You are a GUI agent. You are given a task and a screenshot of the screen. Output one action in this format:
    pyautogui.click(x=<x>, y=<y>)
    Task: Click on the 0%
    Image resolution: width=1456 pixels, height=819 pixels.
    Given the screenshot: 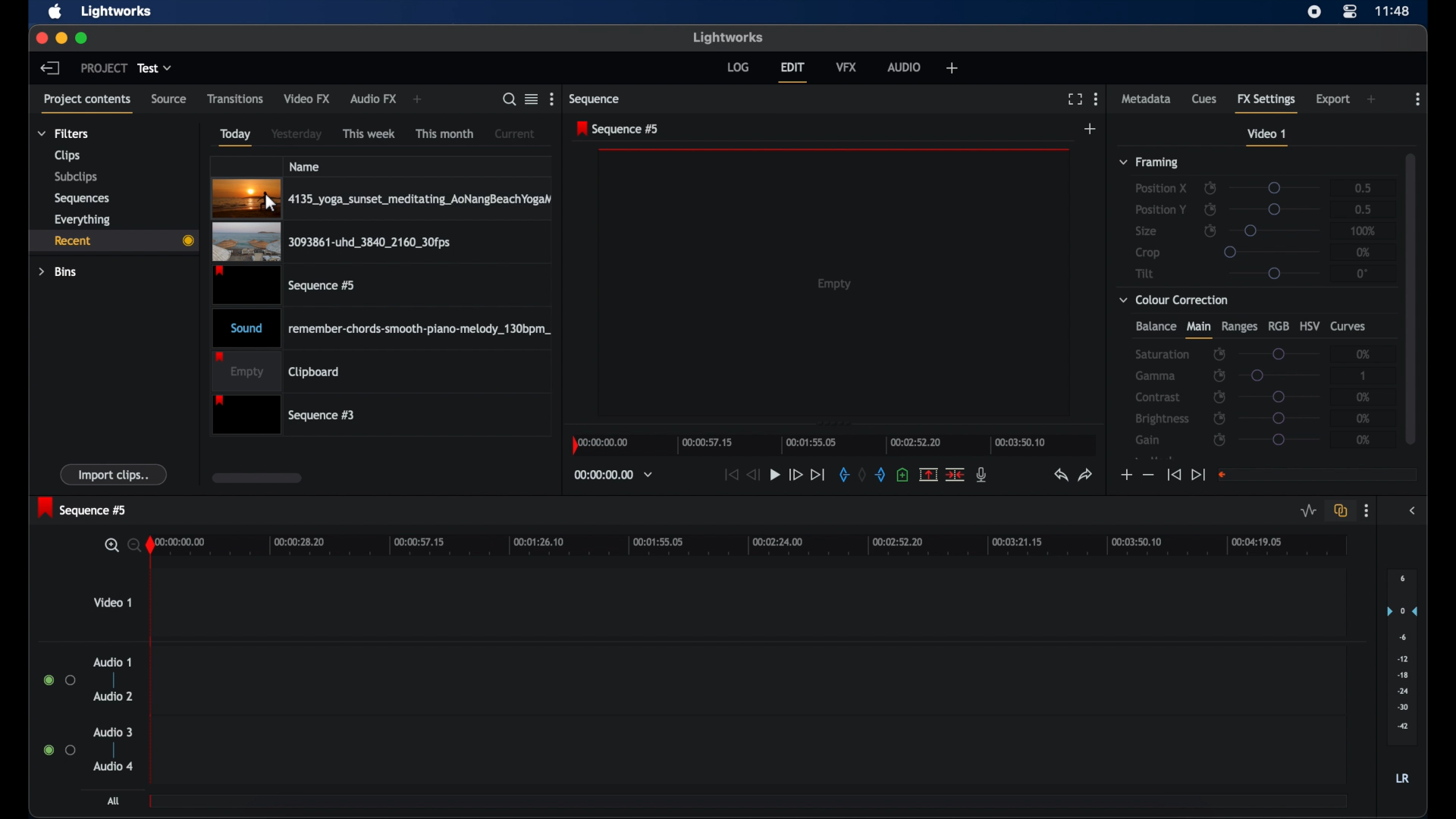 What is the action you would take?
    pyautogui.click(x=1364, y=252)
    